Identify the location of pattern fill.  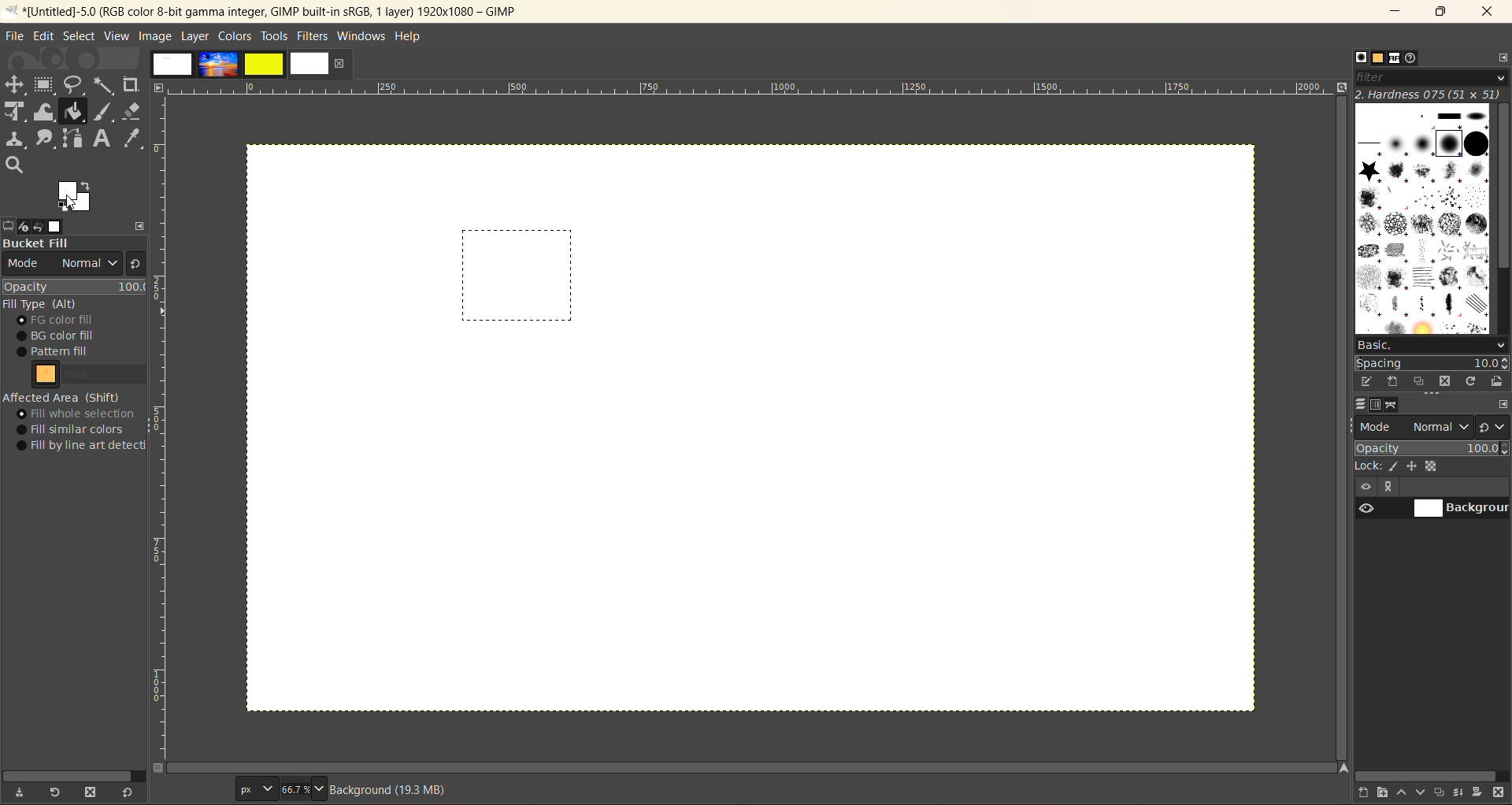
(70, 352).